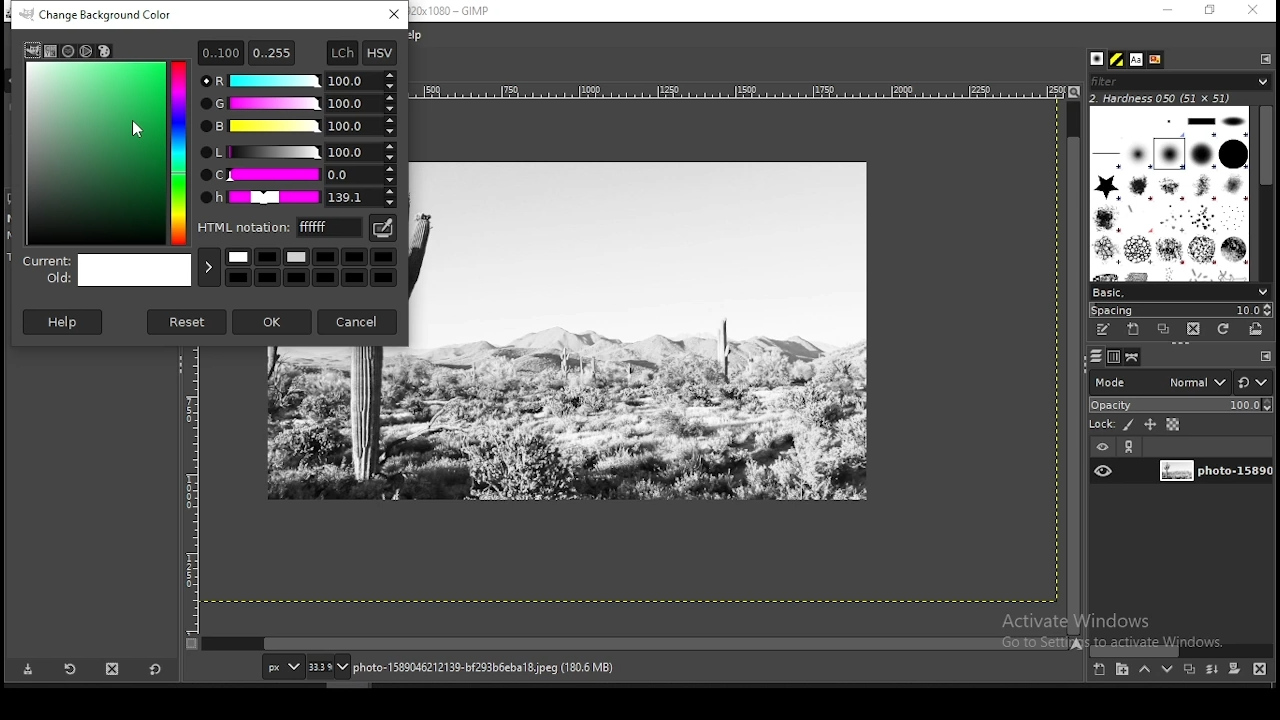 The width and height of the screenshot is (1280, 720). What do you see at coordinates (1150, 424) in the screenshot?
I see `lock size and position` at bounding box center [1150, 424].